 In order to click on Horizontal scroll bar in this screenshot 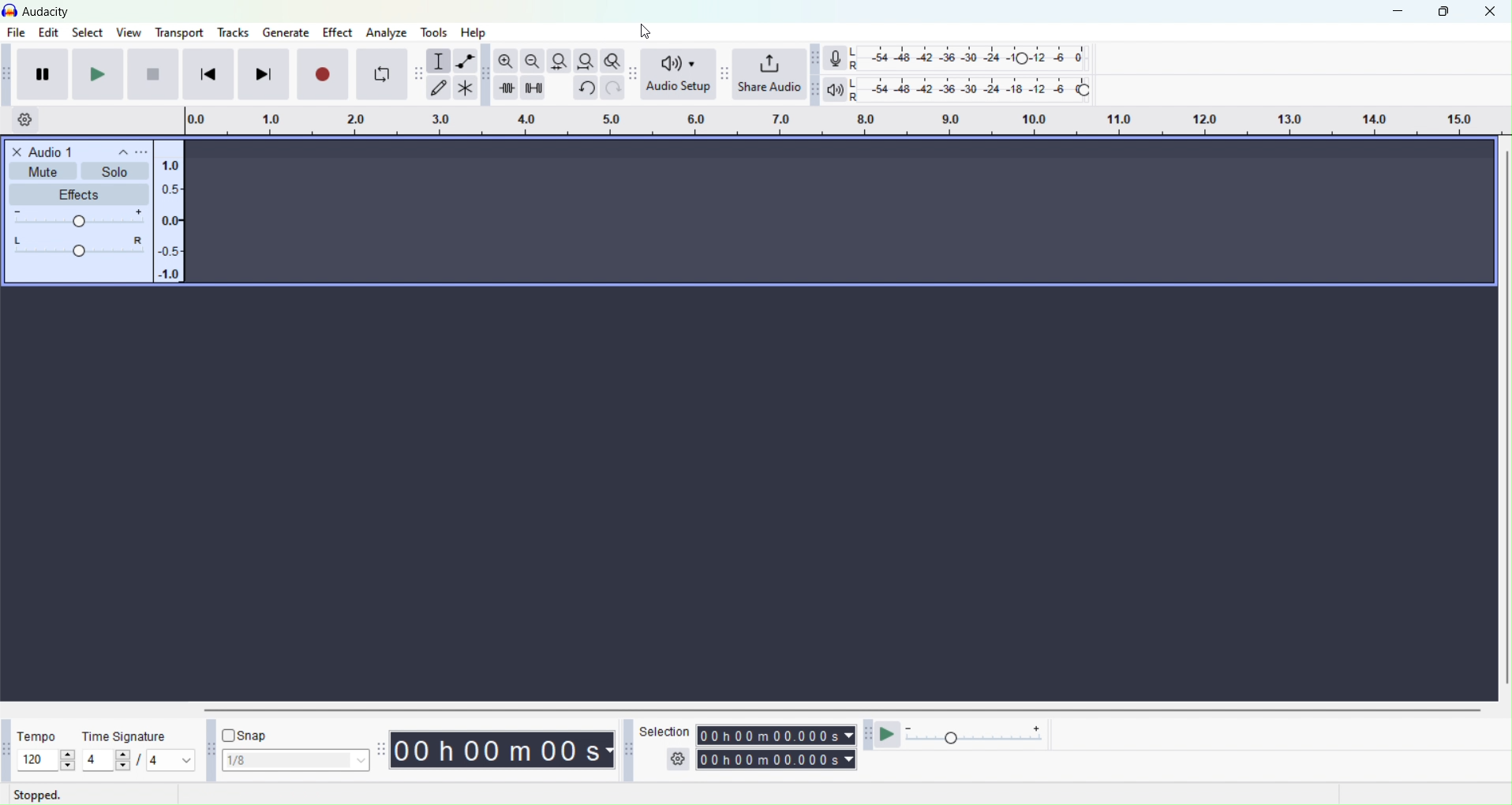, I will do `click(1503, 418)`.